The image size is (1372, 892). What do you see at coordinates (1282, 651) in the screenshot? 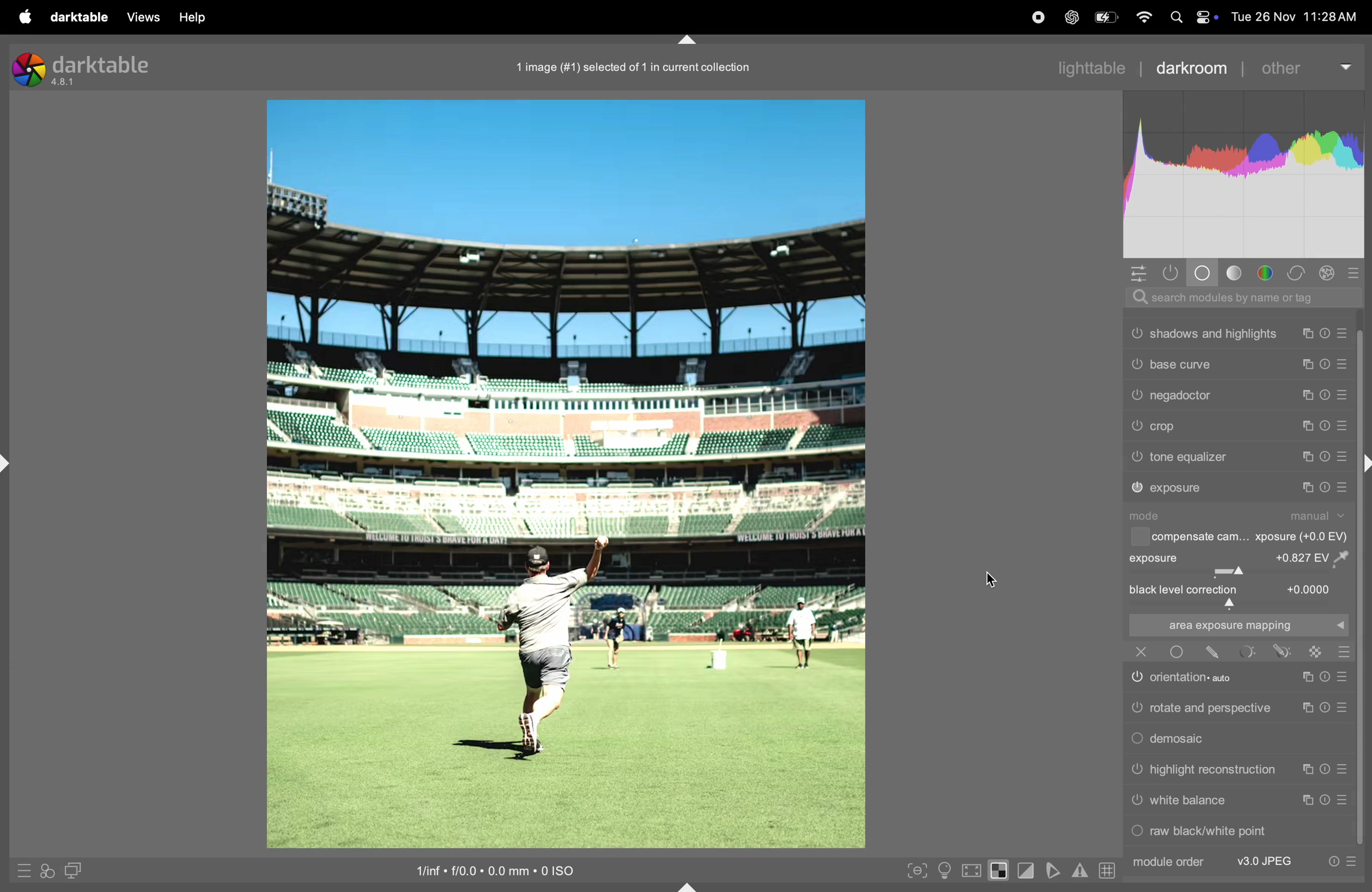
I see `edit tool` at bounding box center [1282, 651].